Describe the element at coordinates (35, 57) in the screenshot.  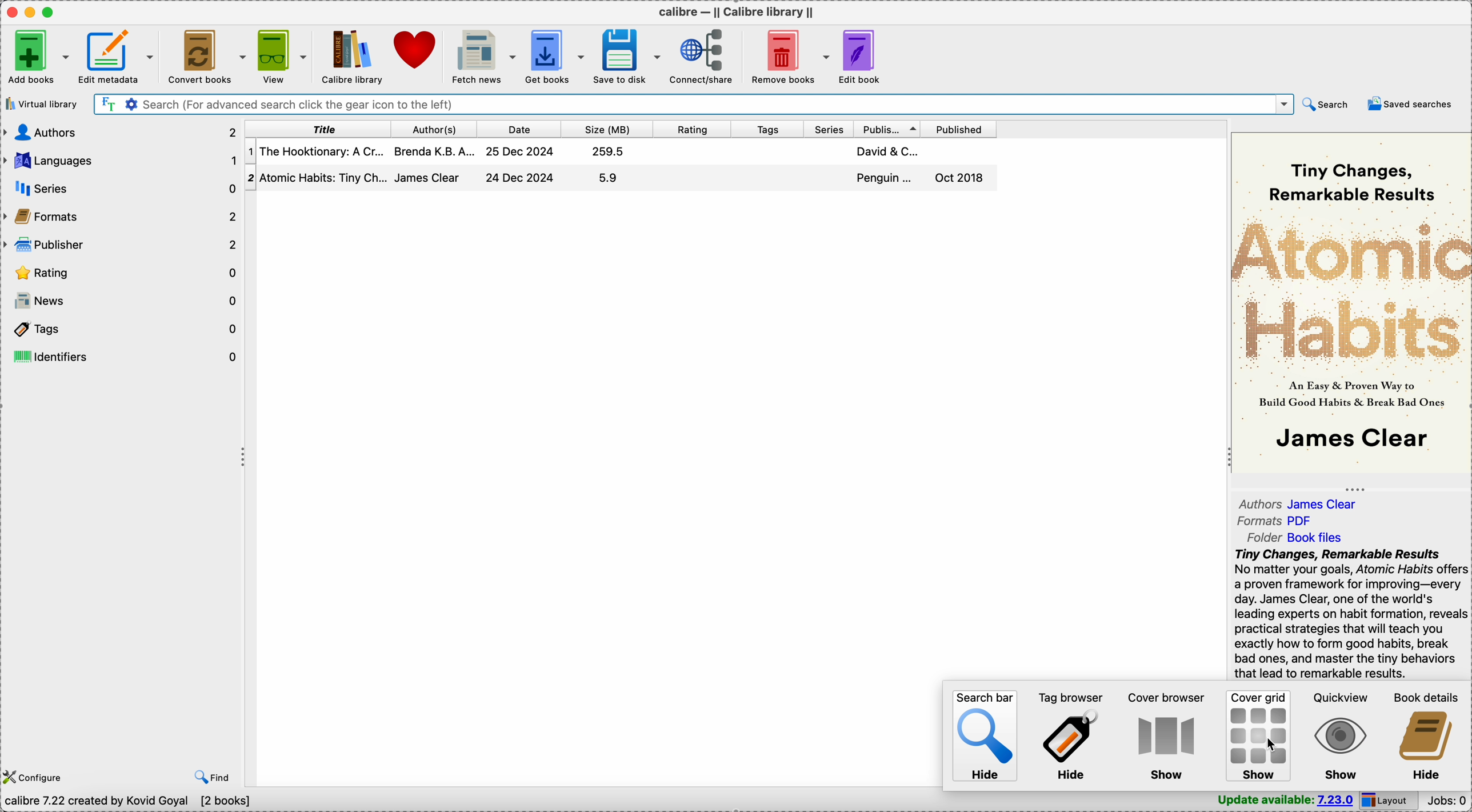
I see `add books` at that location.